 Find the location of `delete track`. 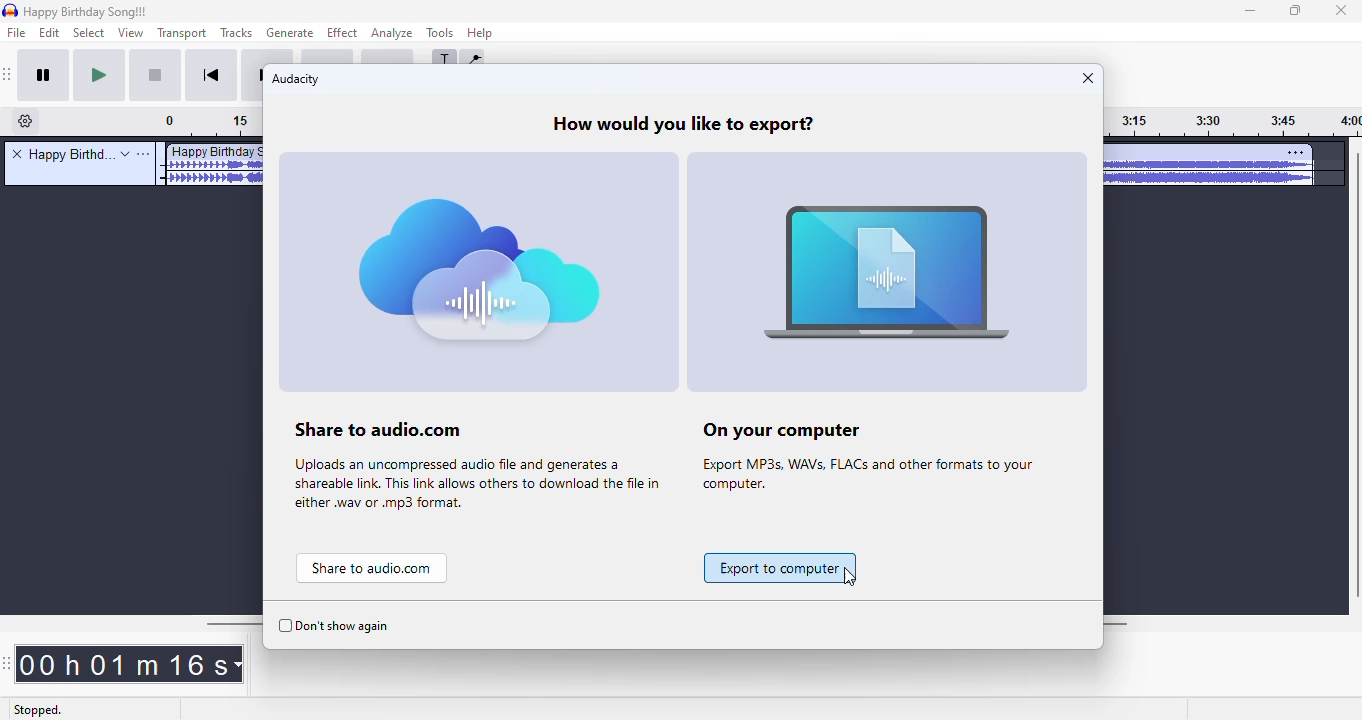

delete track is located at coordinates (17, 153).